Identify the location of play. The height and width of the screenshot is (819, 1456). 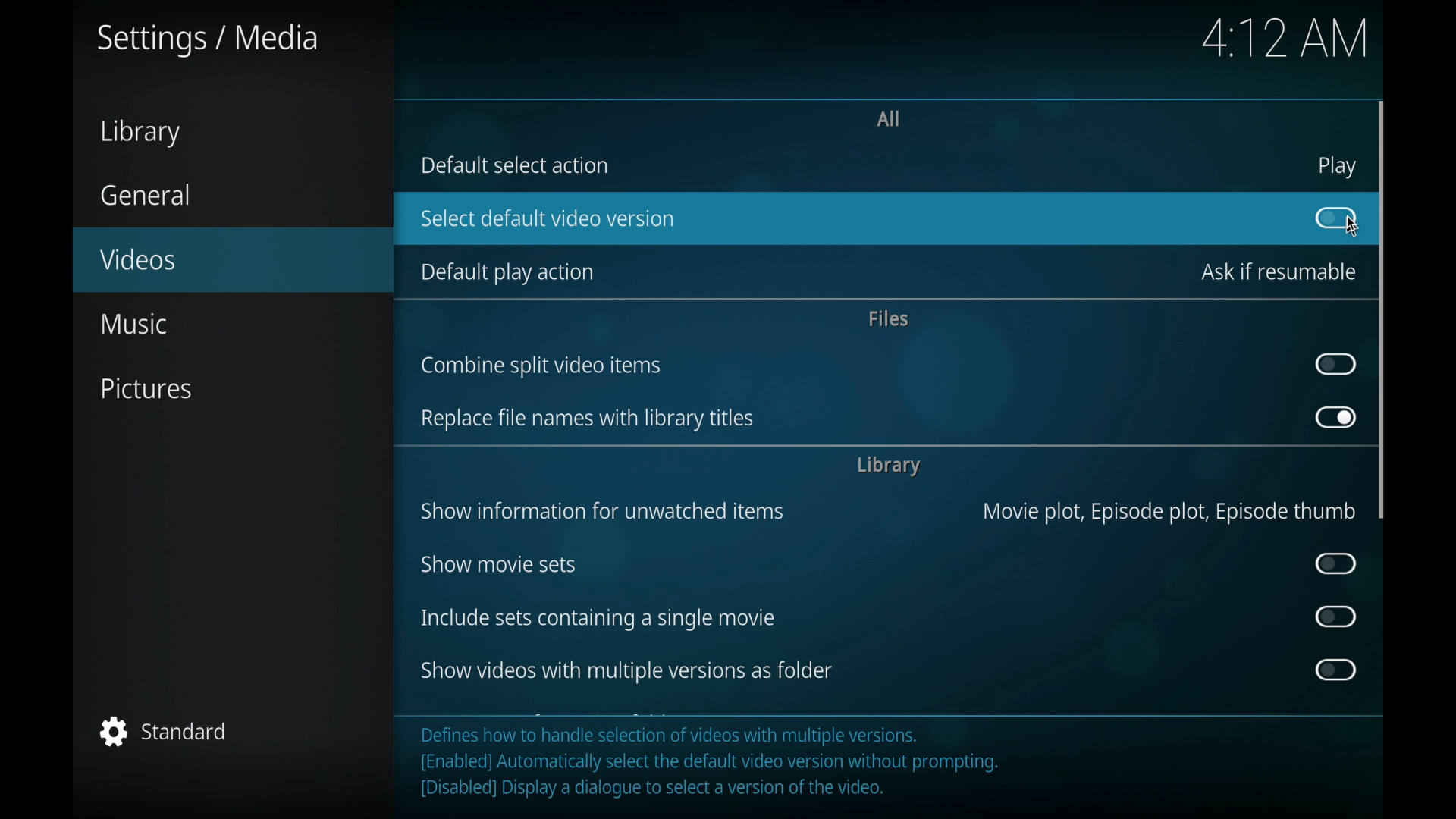
(1337, 167).